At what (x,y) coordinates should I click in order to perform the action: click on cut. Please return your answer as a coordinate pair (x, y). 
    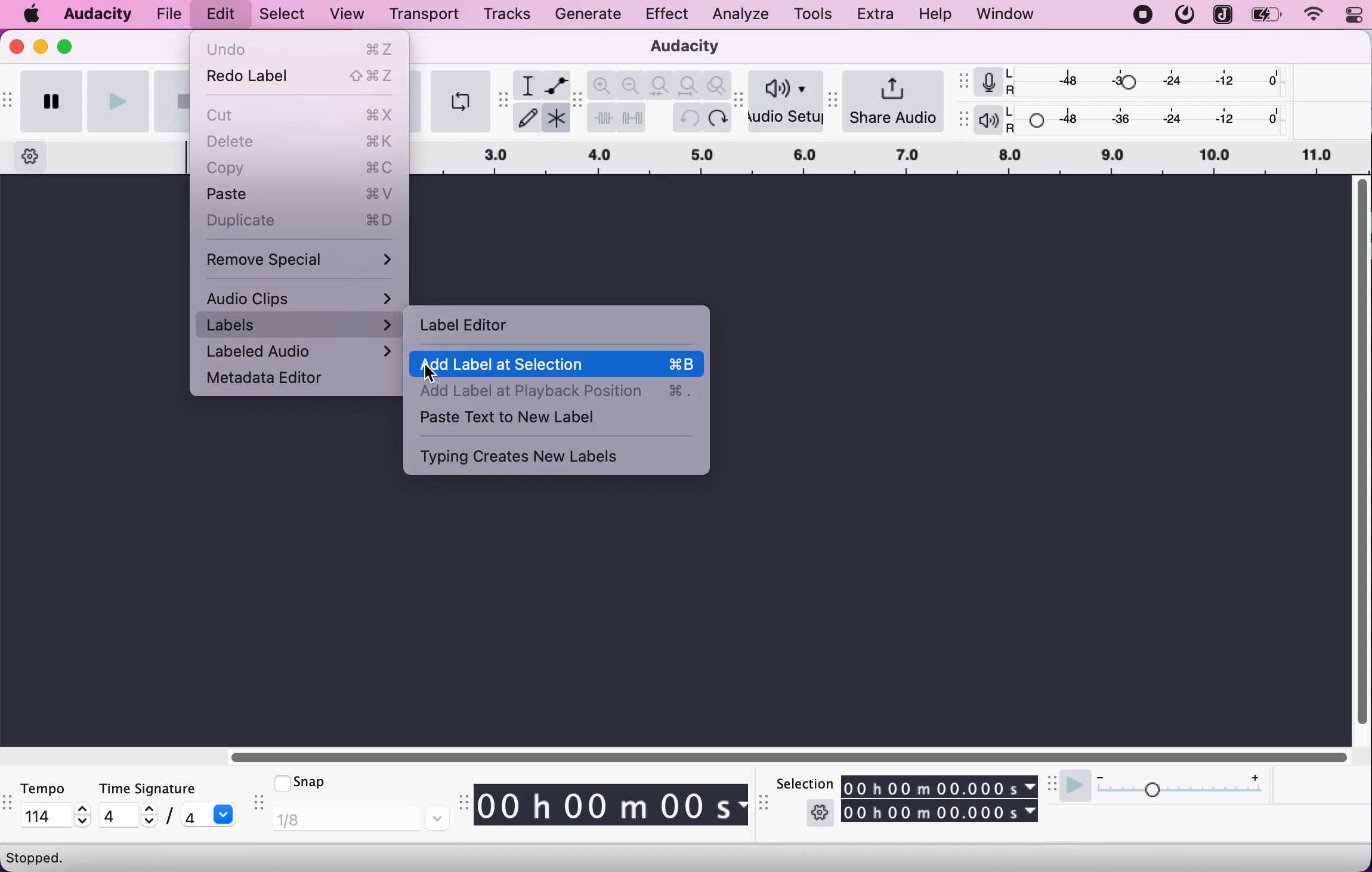
    Looking at the image, I should click on (302, 113).